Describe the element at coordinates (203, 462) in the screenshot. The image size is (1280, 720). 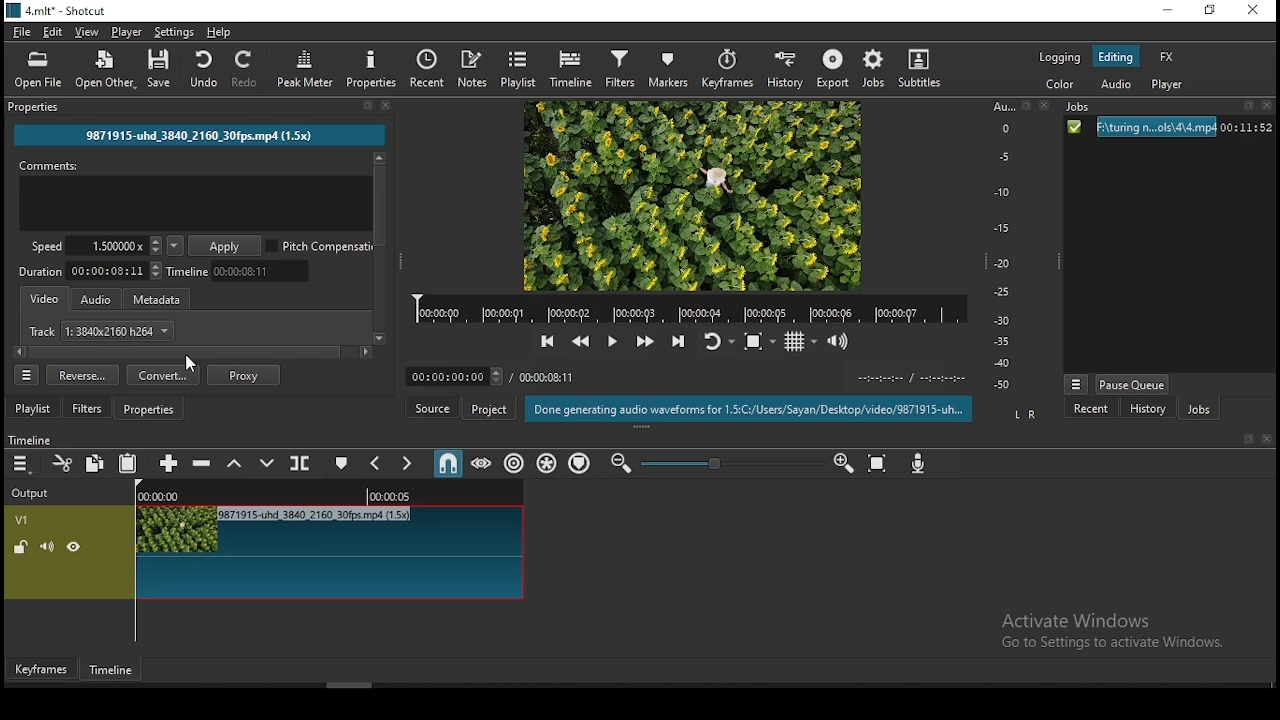
I see `ripple delete` at that location.